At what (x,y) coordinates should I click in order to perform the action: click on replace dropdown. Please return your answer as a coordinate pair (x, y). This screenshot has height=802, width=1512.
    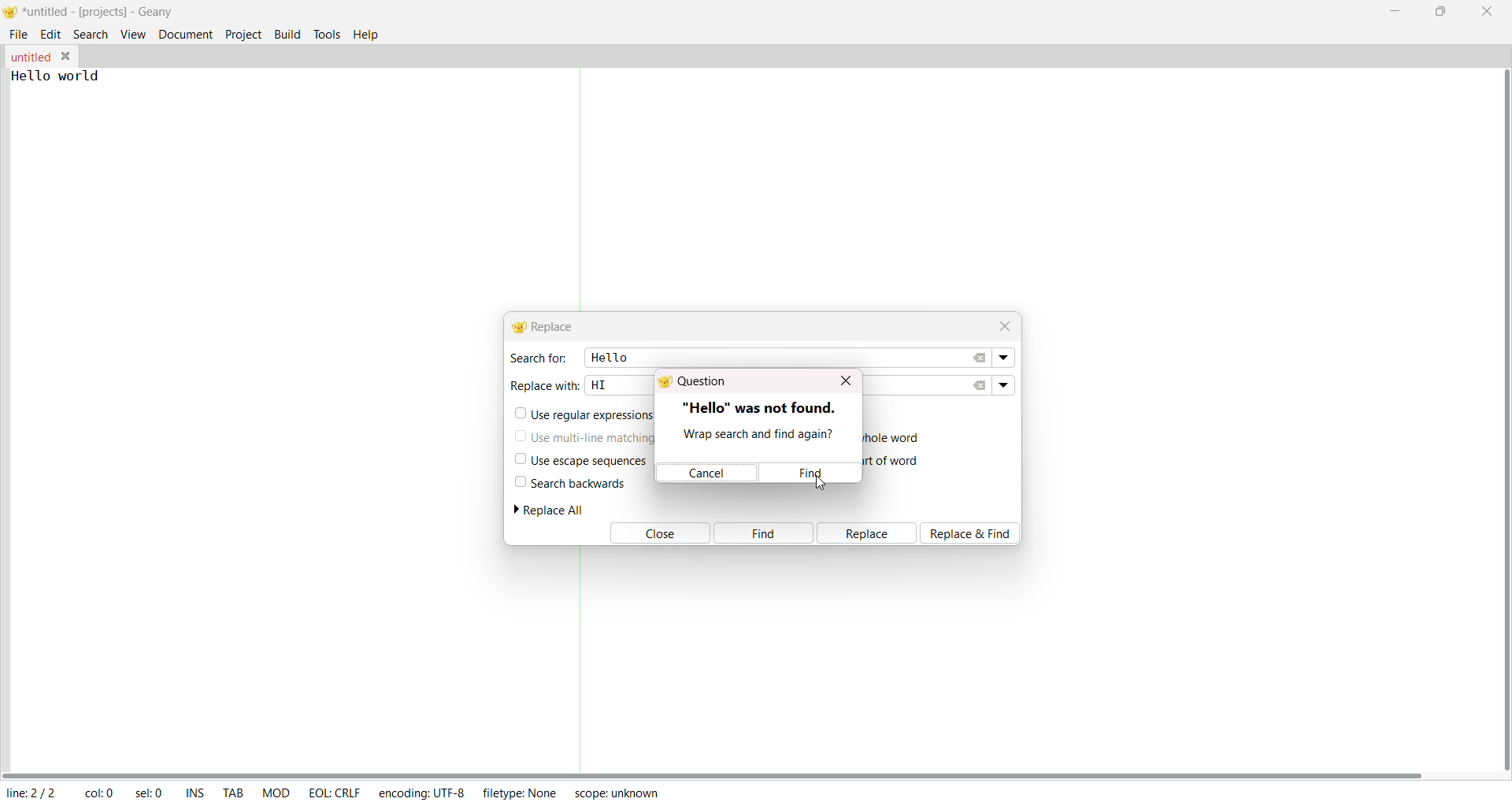
    Looking at the image, I should click on (1003, 384).